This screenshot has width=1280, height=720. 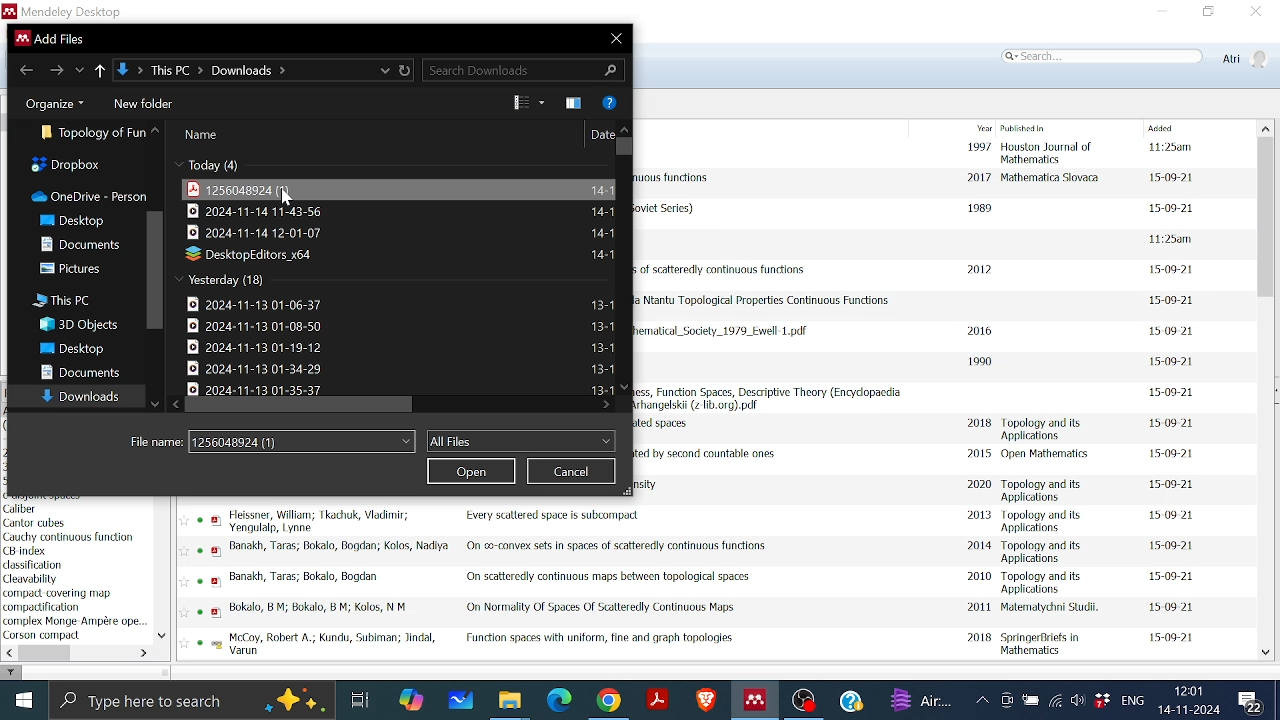 I want to click on date, so click(x=1168, y=209).